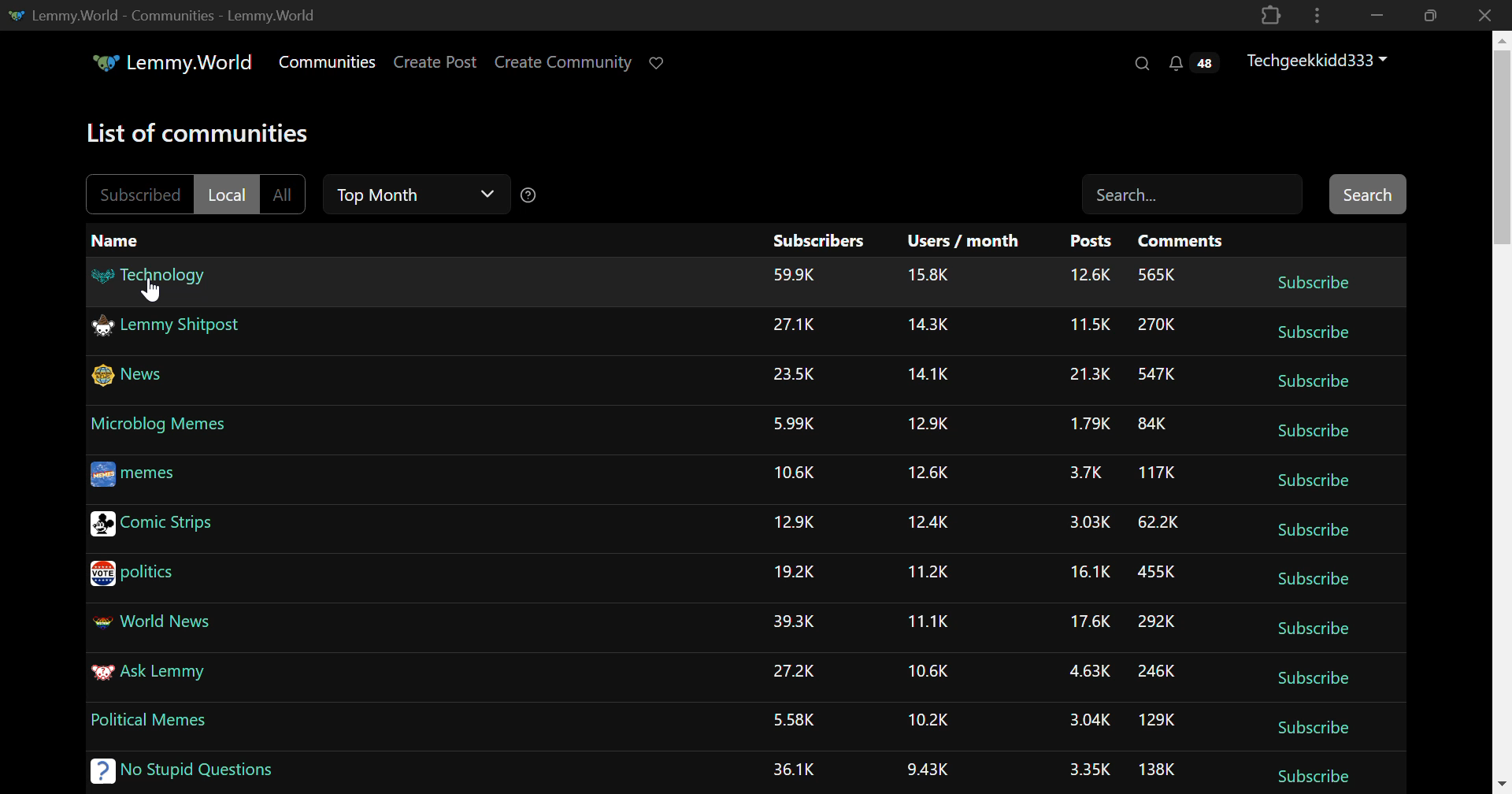  I want to click on News, so click(133, 373).